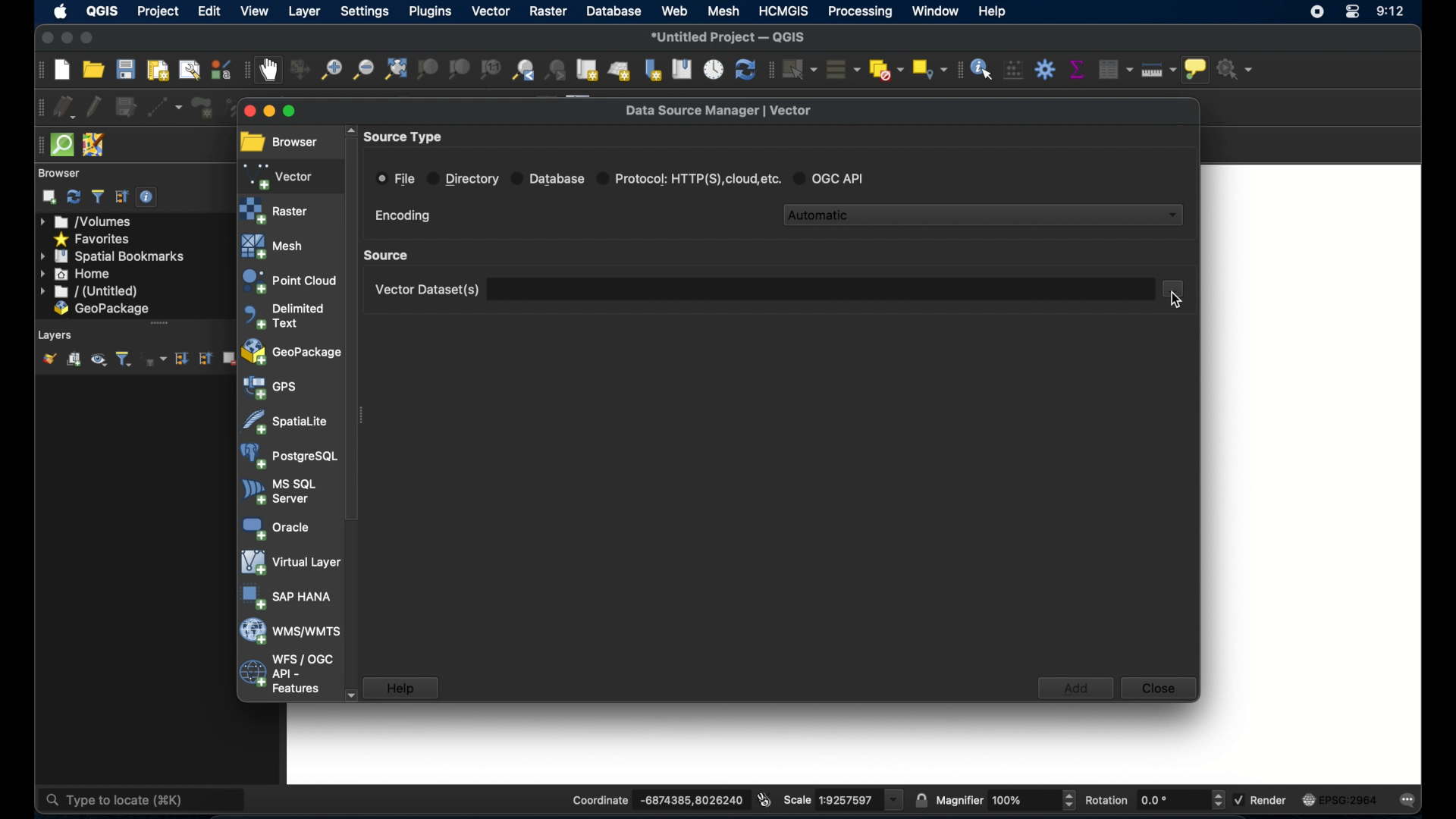 The image size is (1456, 819). What do you see at coordinates (821, 289) in the screenshot?
I see `empty text box` at bounding box center [821, 289].